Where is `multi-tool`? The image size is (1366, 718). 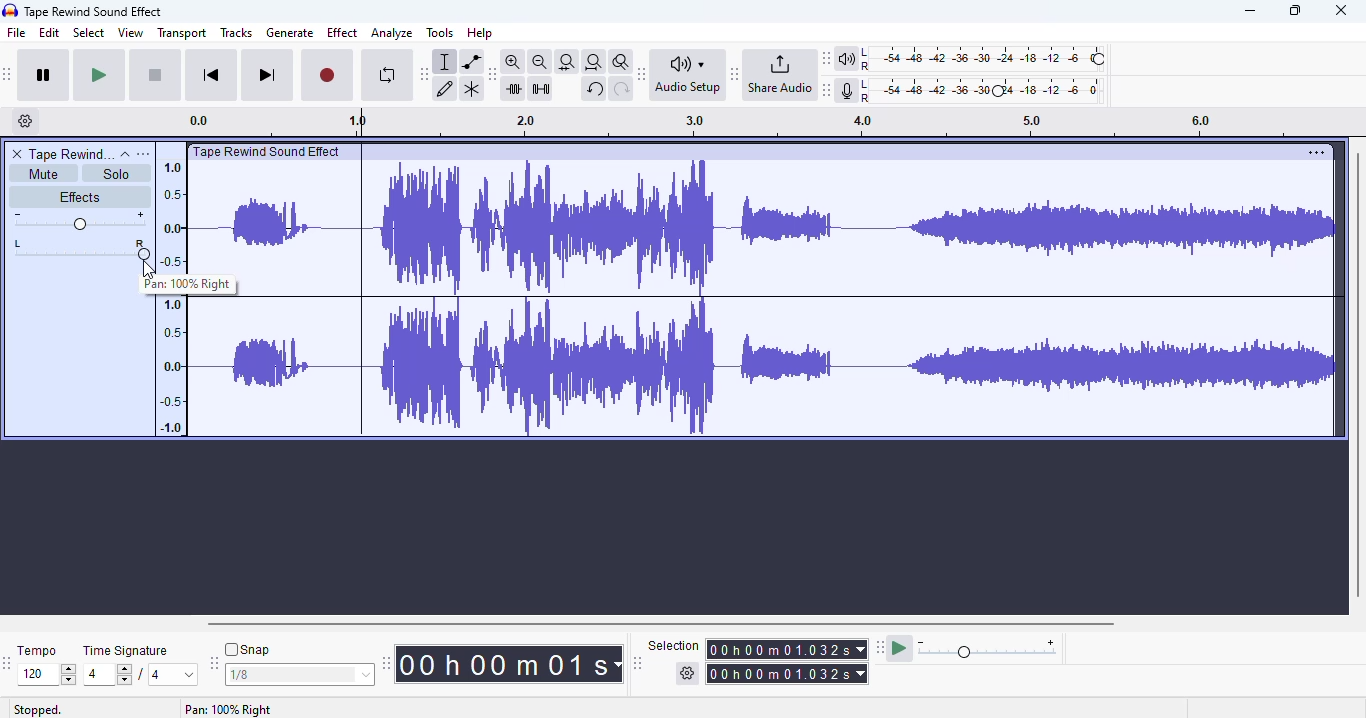
multi-tool is located at coordinates (472, 90).